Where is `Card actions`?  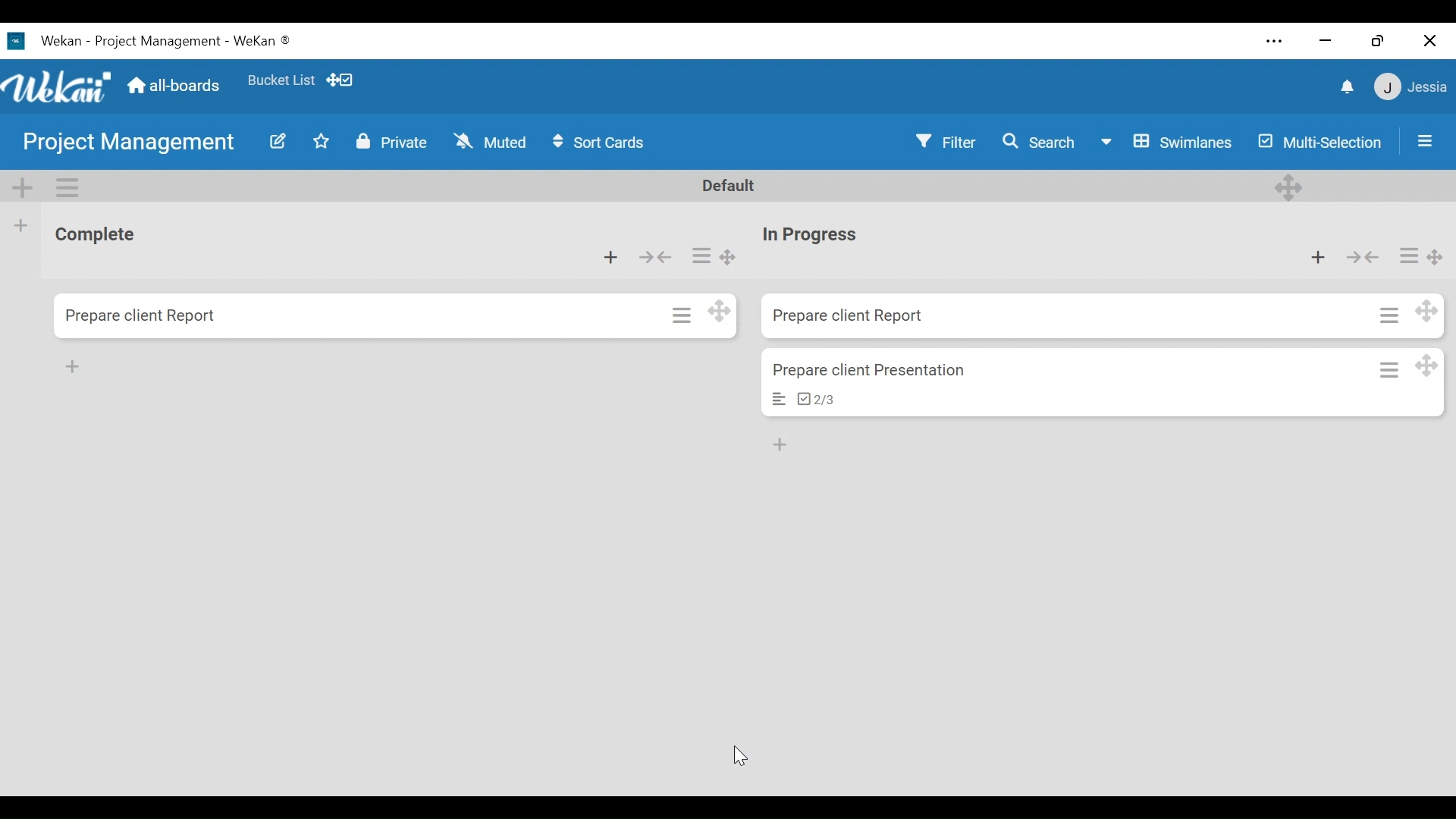
Card actions is located at coordinates (1391, 314).